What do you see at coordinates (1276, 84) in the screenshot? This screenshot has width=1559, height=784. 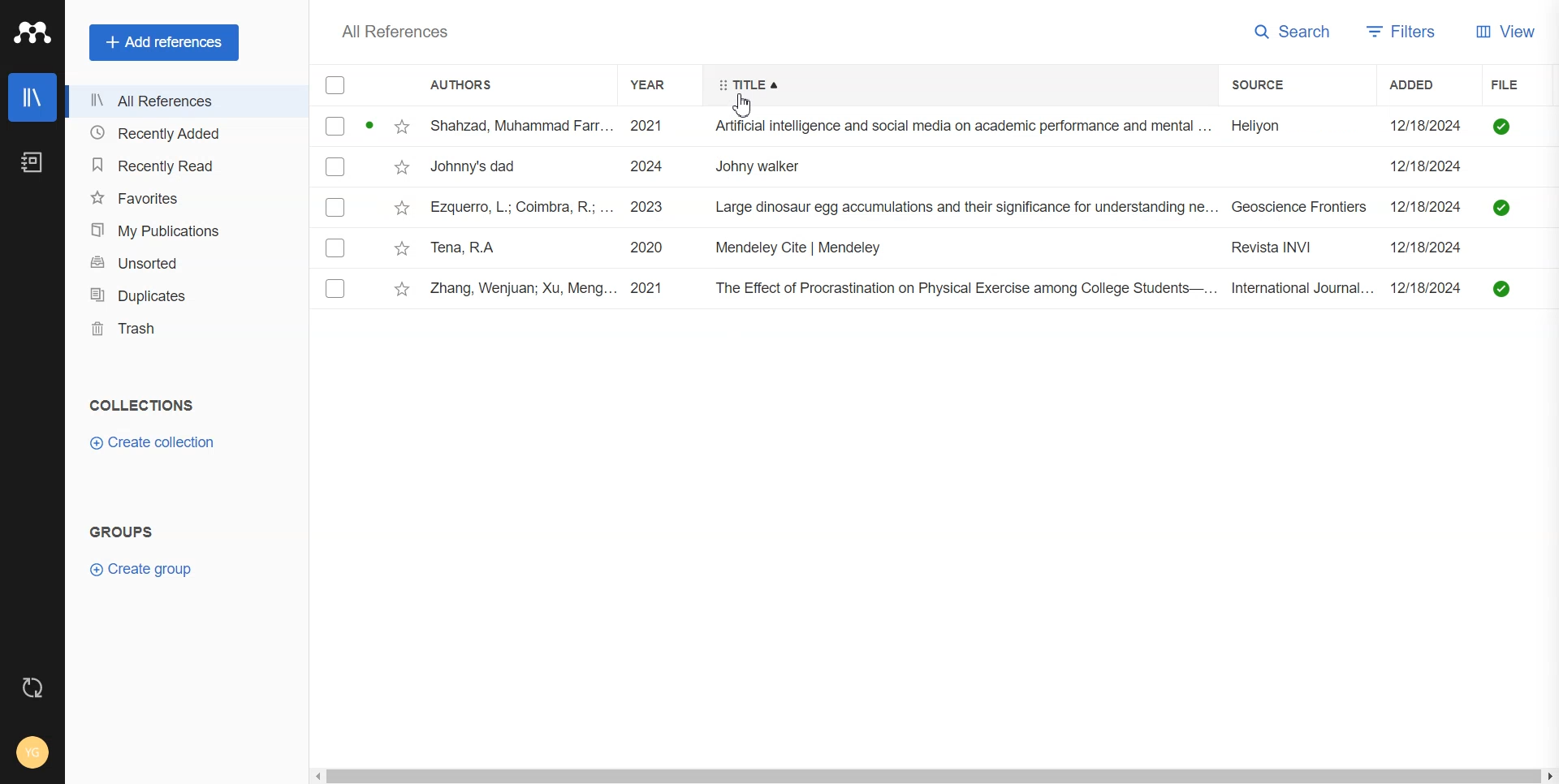 I see `Source` at bounding box center [1276, 84].